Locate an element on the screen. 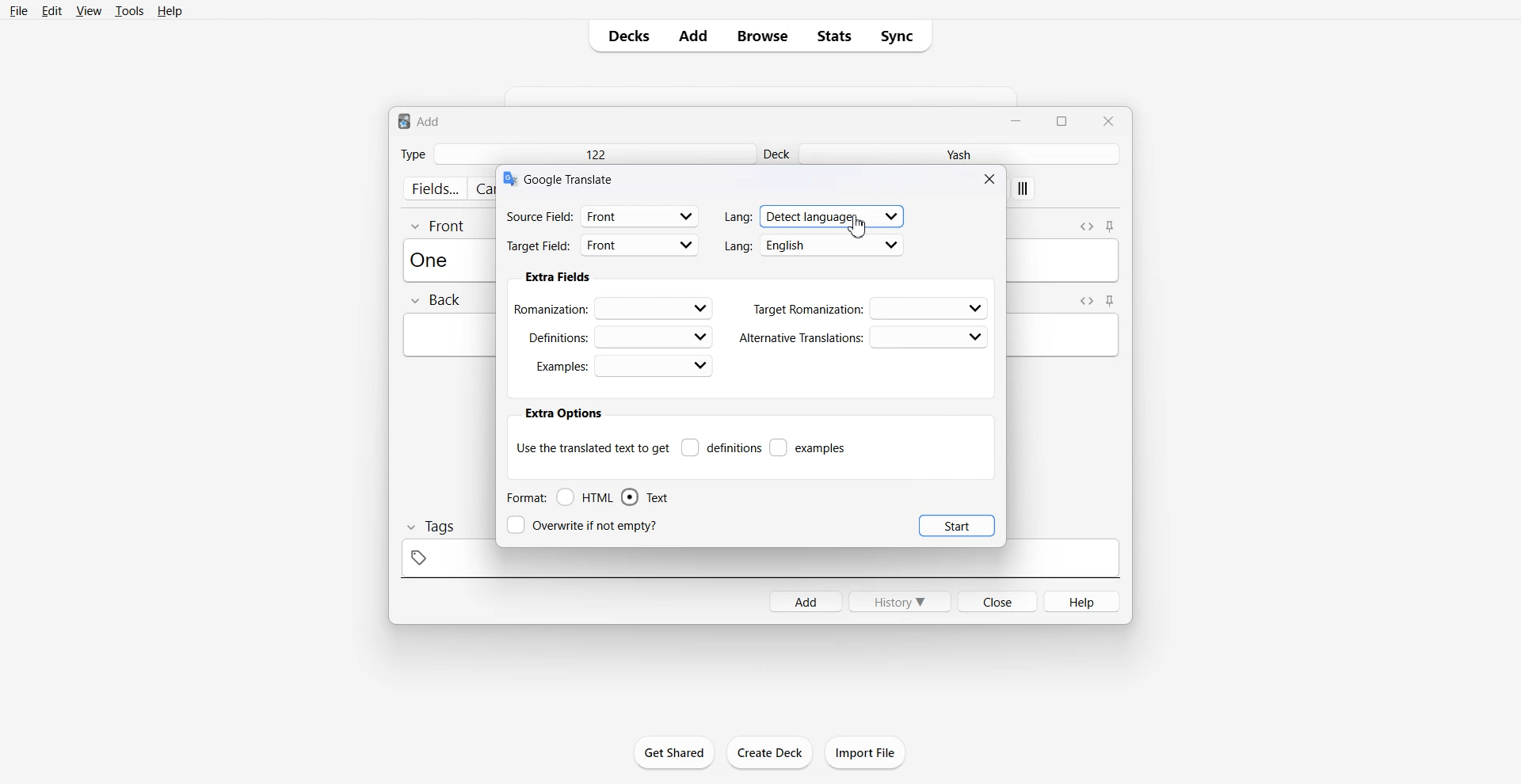 This screenshot has width=1521, height=784. HTML is located at coordinates (585, 497).